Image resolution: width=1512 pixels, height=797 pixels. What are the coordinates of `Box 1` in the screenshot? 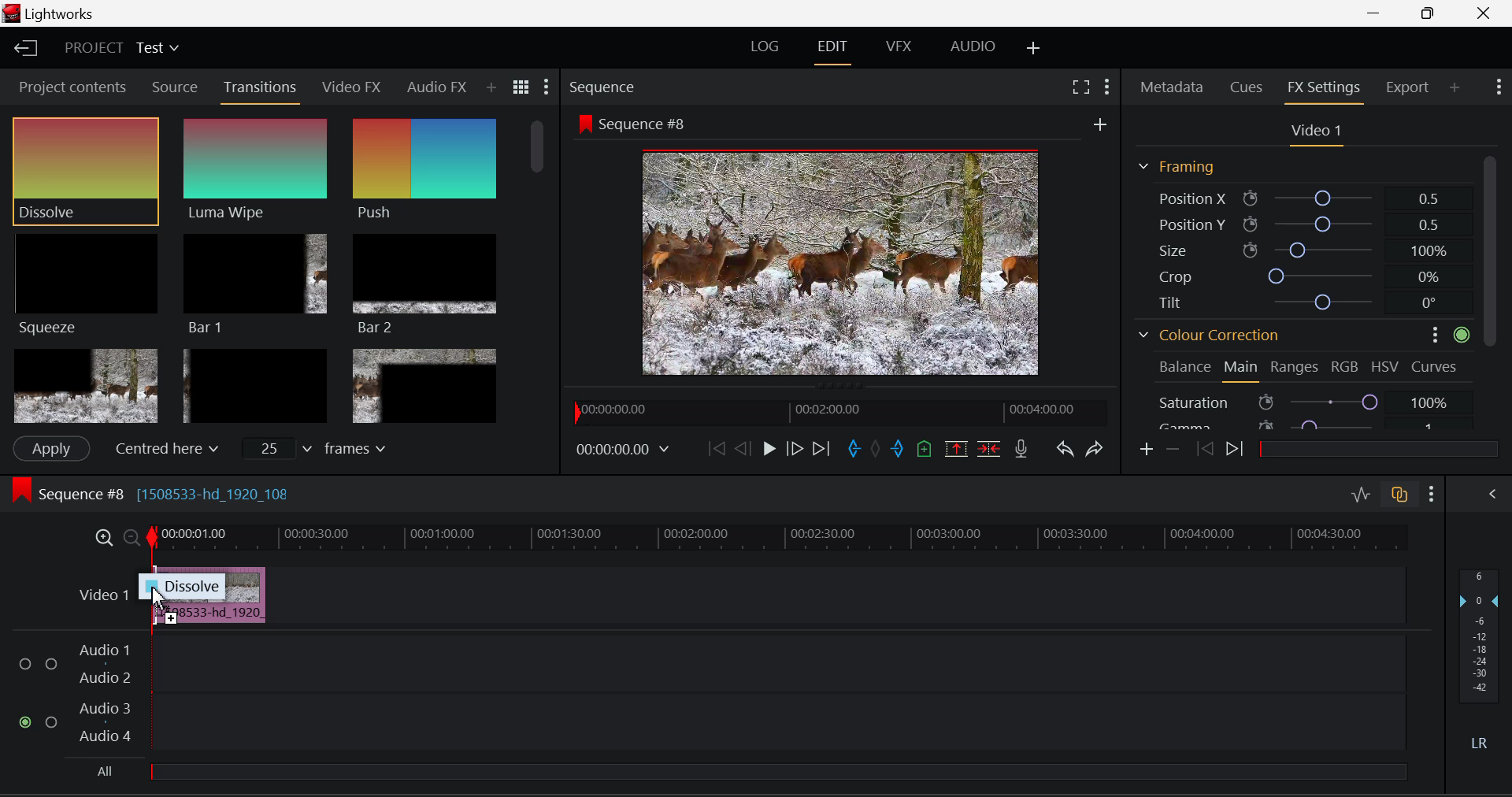 It's located at (84, 384).